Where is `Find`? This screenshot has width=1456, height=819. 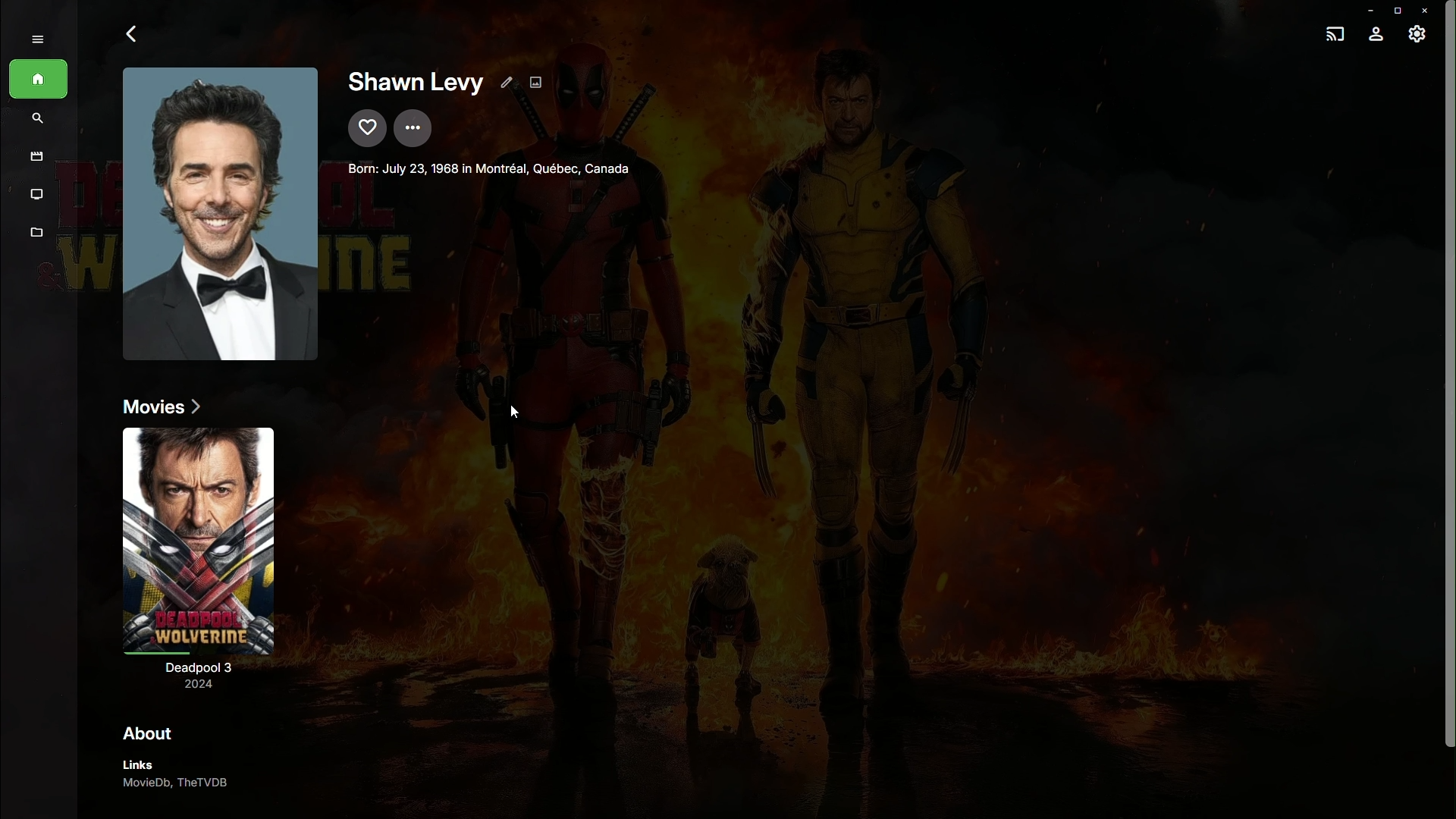
Find is located at coordinates (36, 120).